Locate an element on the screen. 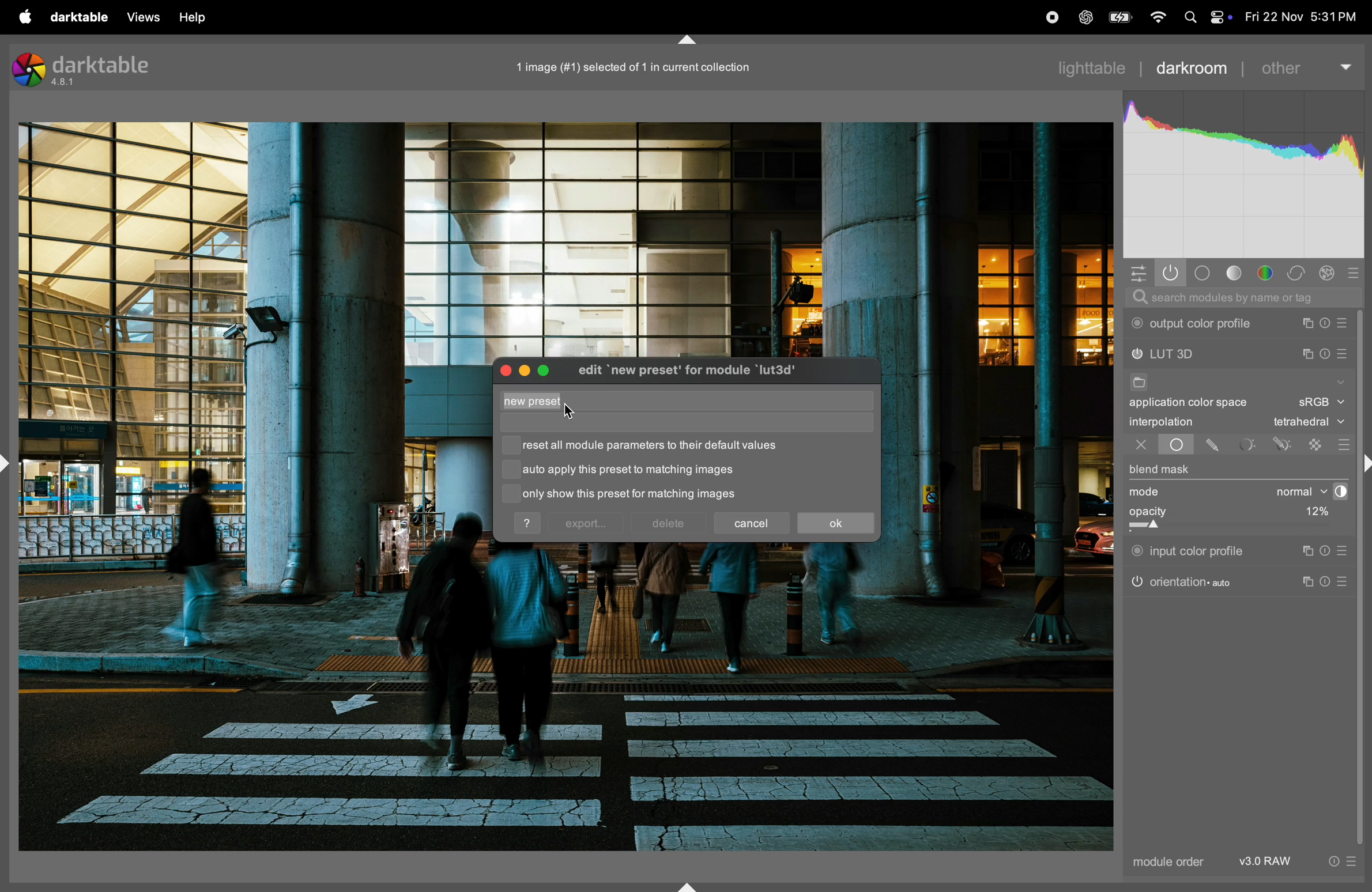 This screenshot has width=1372, height=892. darktable version is located at coordinates (89, 68).